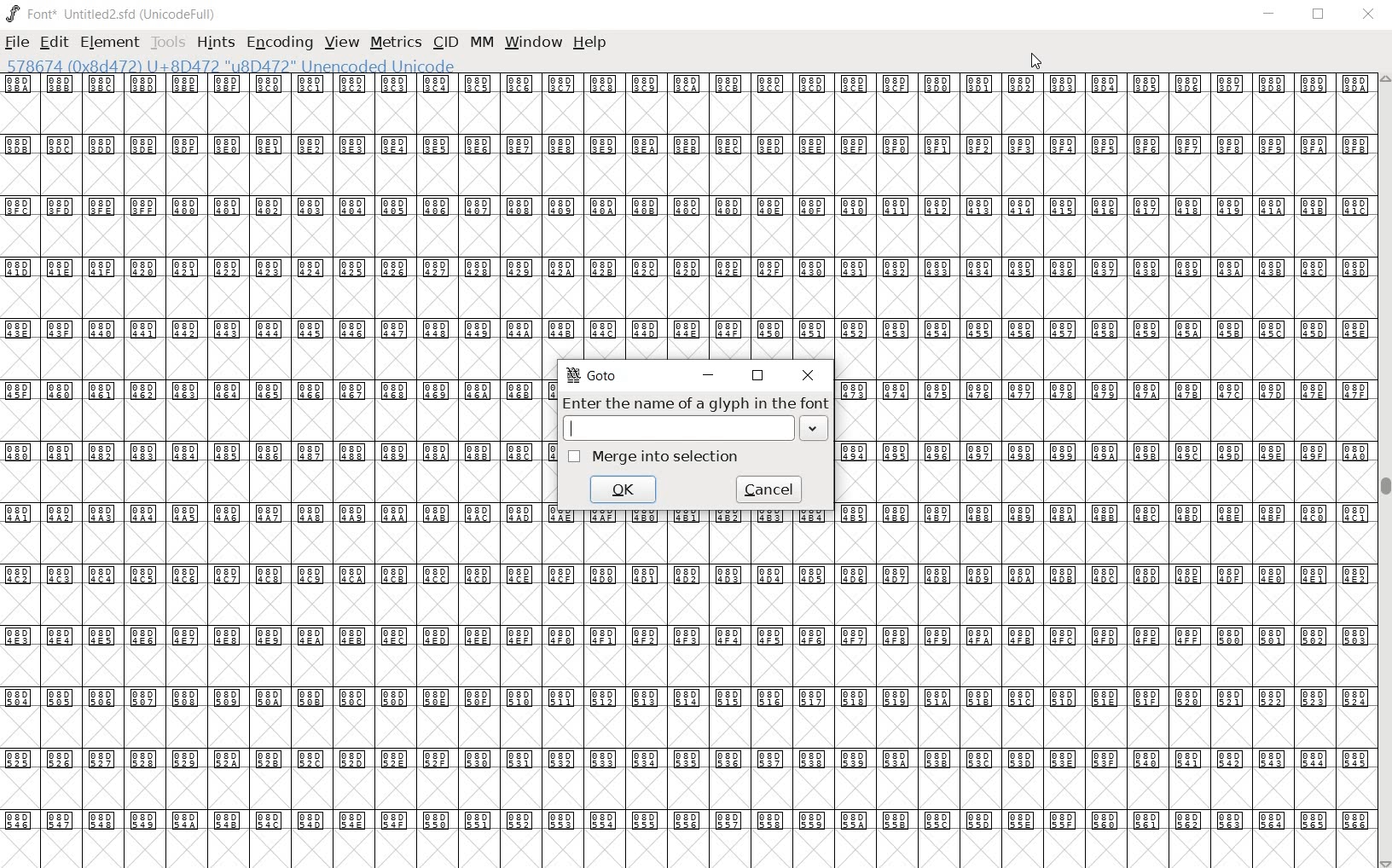 The width and height of the screenshot is (1392, 868). Describe the element at coordinates (694, 431) in the screenshot. I see `textbox` at that location.